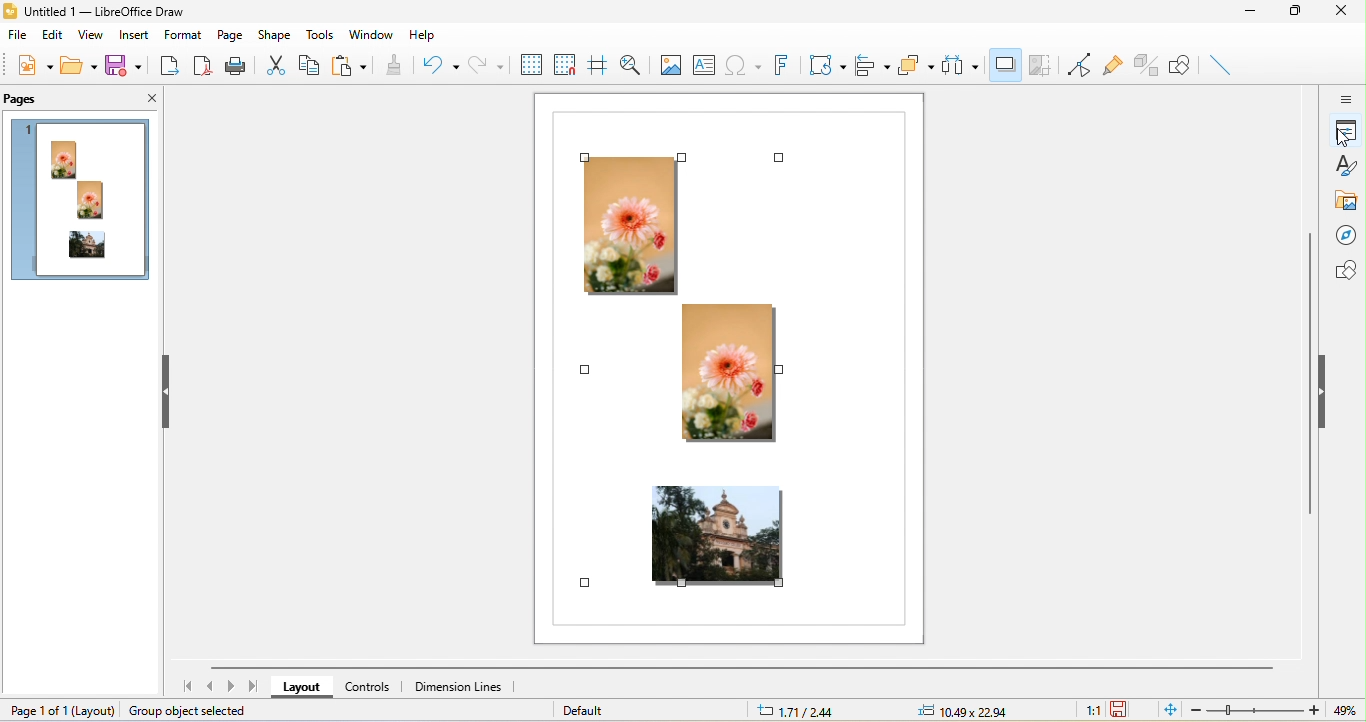  Describe the element at coordinates (78, 65) in the screenshot. I see `open` at that location.